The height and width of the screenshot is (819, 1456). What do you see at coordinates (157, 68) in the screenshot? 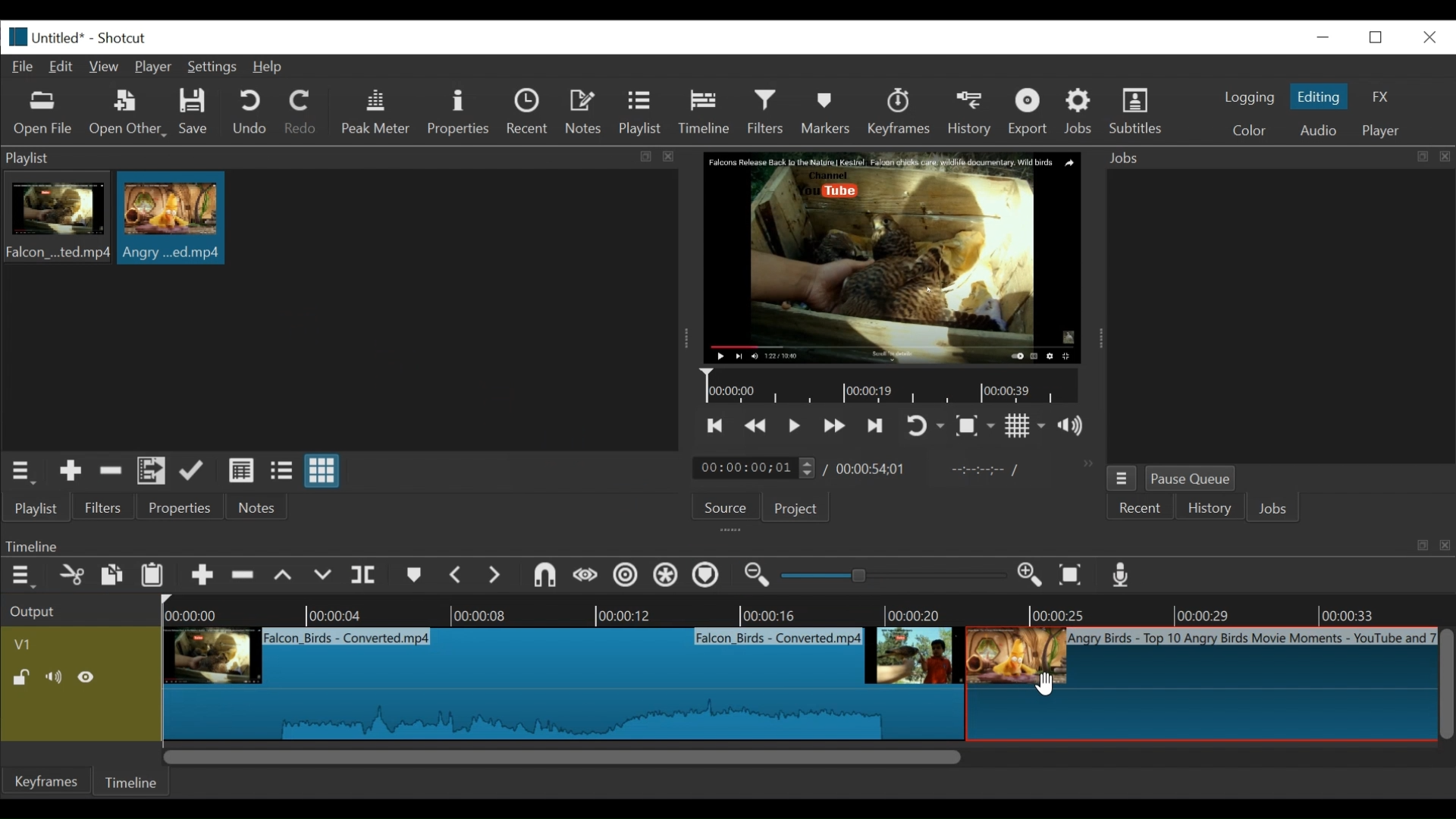
I see `Player` at bounding box center [157, 68].